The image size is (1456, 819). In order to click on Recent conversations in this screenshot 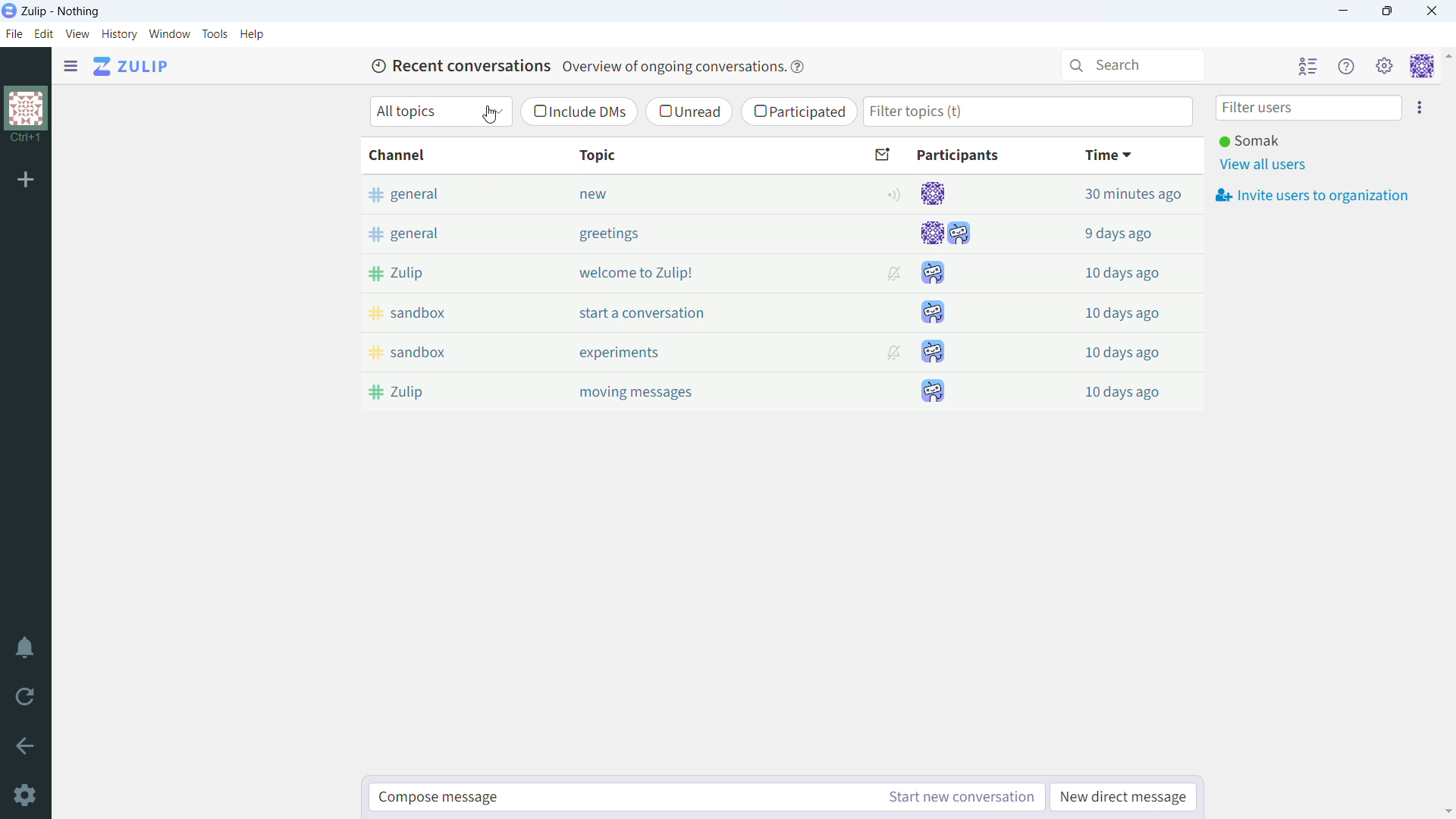, I will do `click(459, 66)`.